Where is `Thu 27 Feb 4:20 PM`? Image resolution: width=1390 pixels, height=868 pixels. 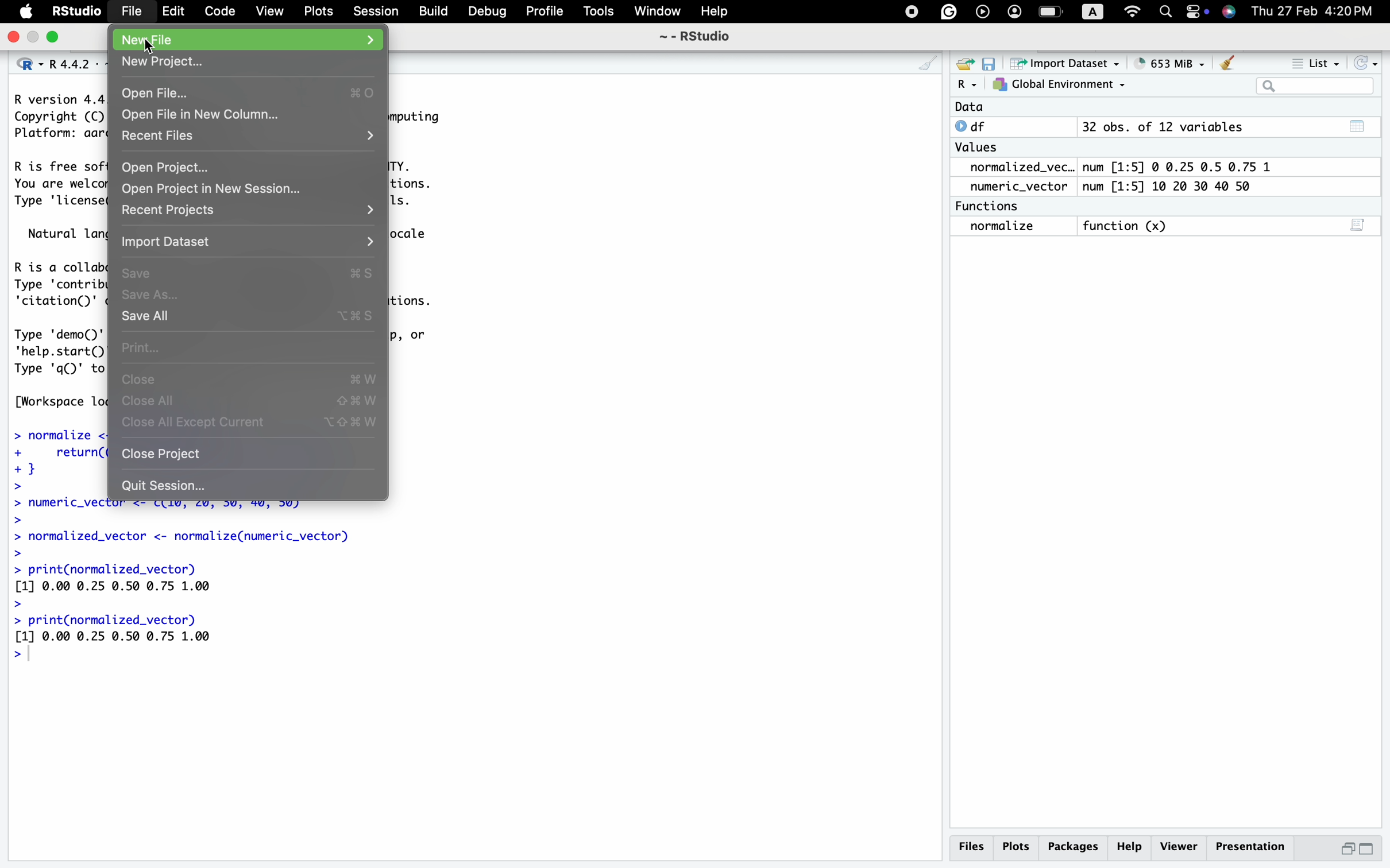
Thu 27 Feb 4:20 PM is located at coordinates (1318, 11).